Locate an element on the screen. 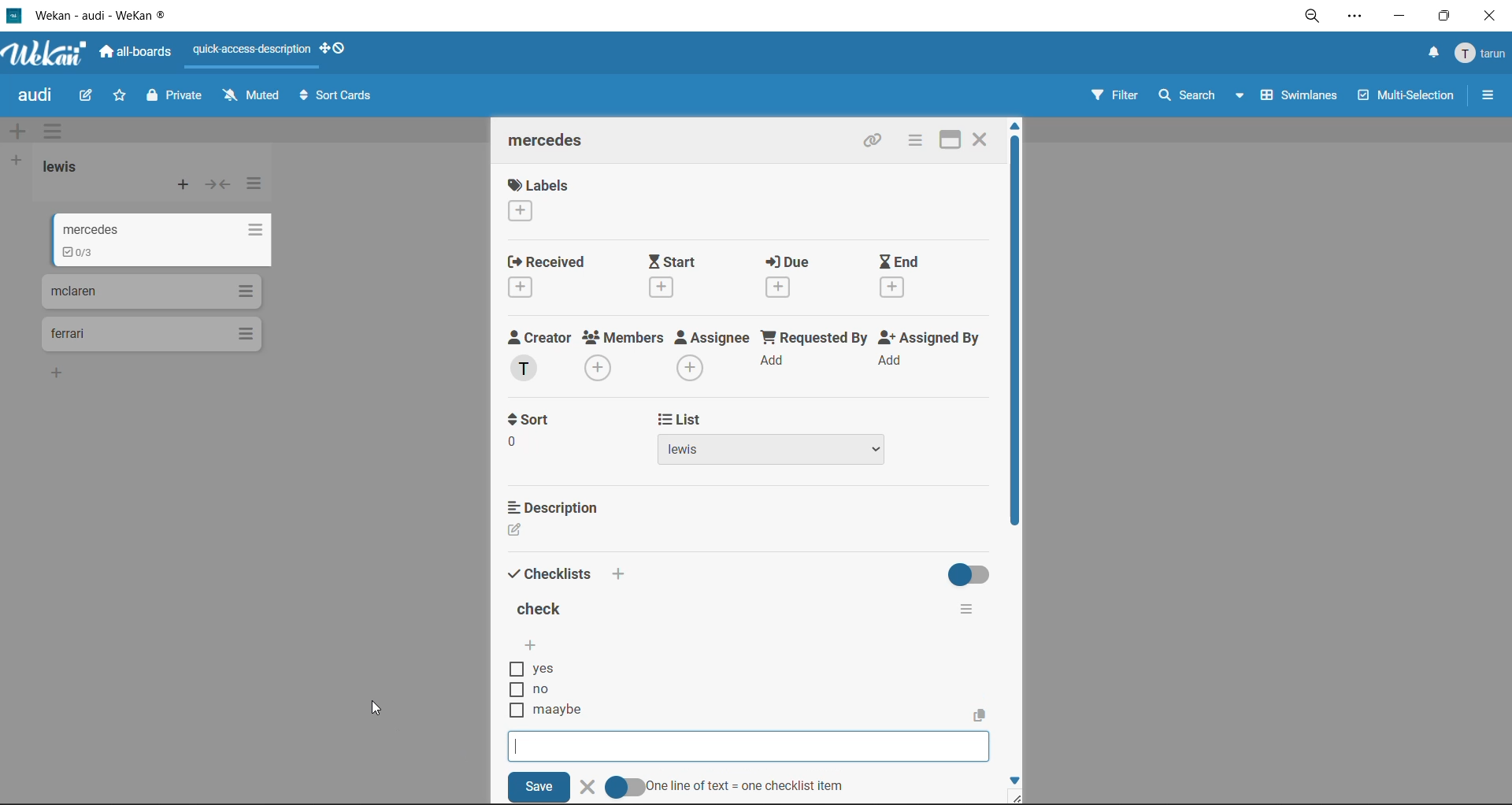 This screenshot has height=805, width=1512. add checklist  is located at coordinates (535, 647).